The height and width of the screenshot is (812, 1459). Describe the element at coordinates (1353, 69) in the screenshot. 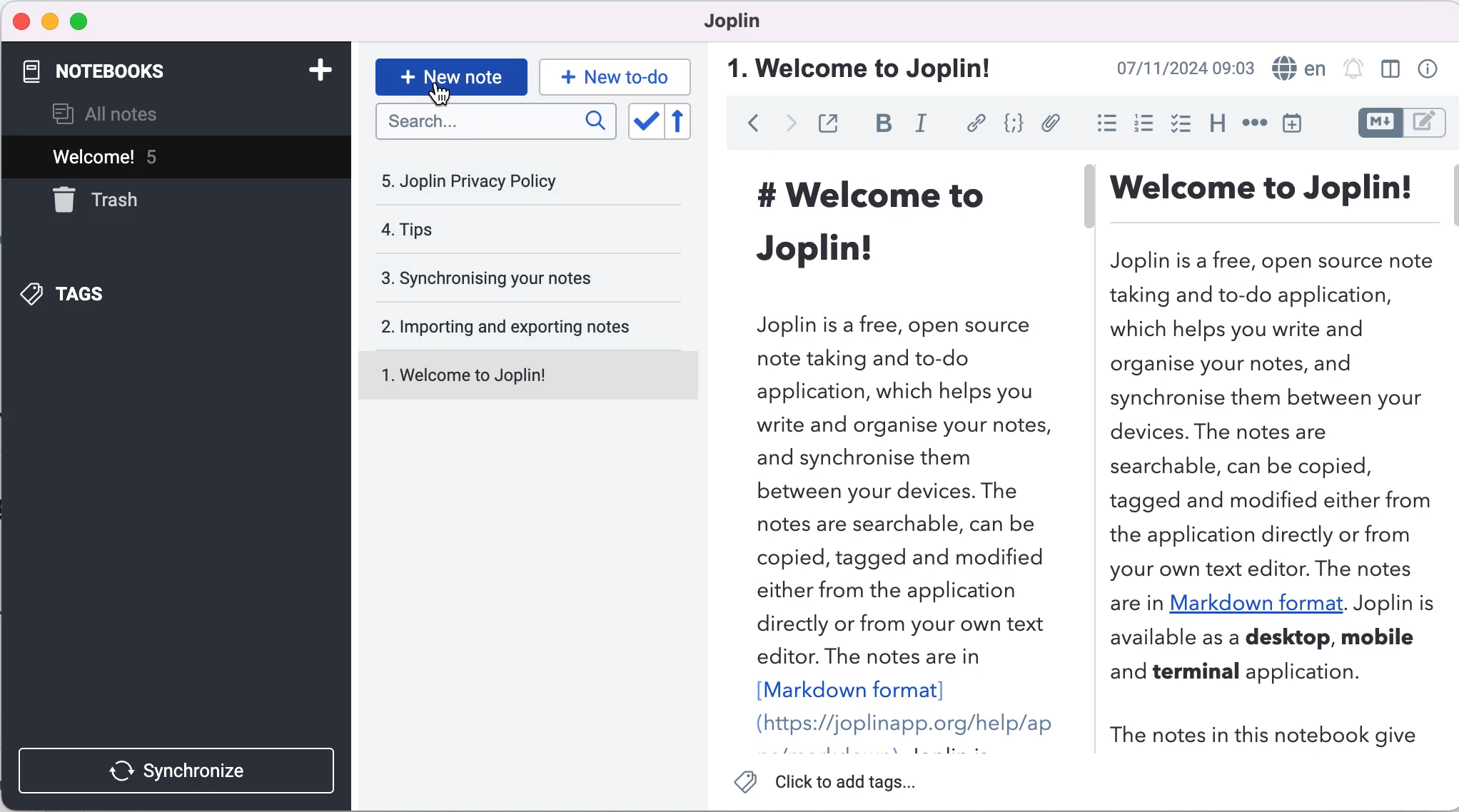

I see `set alarm` at that location.